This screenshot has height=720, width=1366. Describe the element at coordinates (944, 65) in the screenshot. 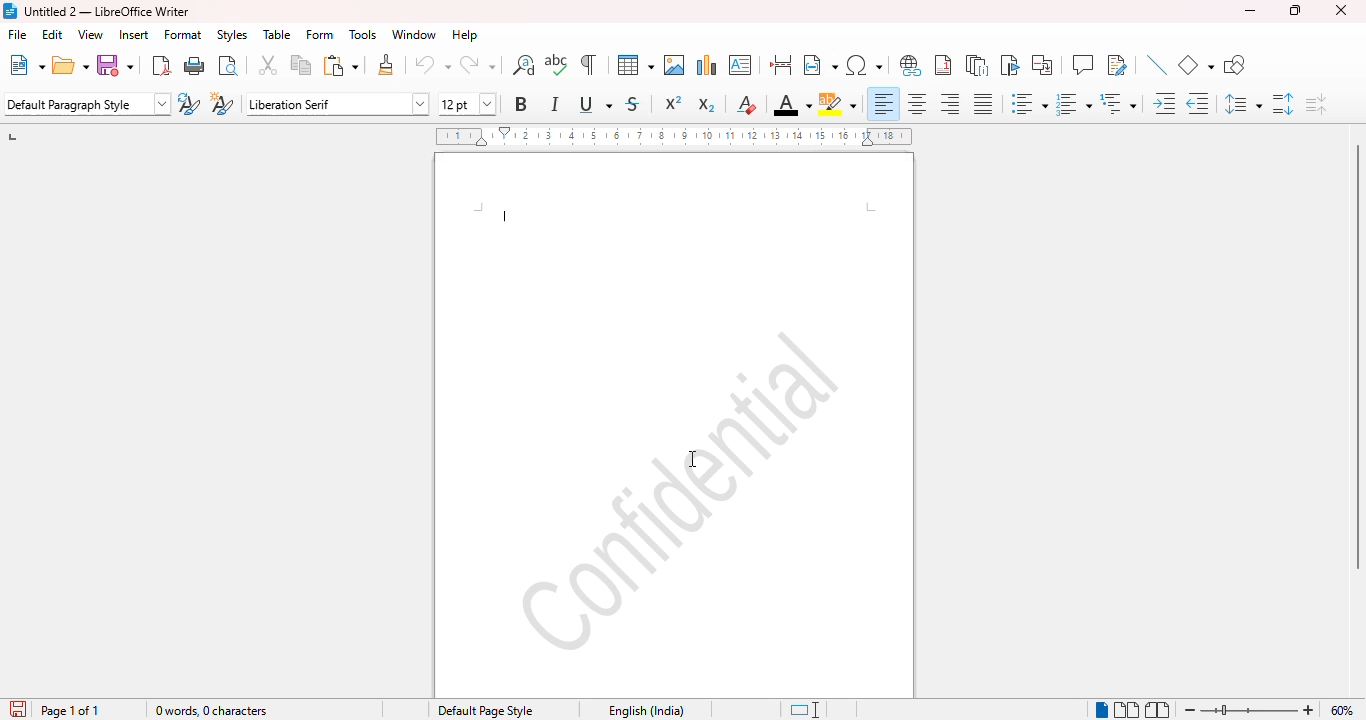

I see `insert footnote` at that location.